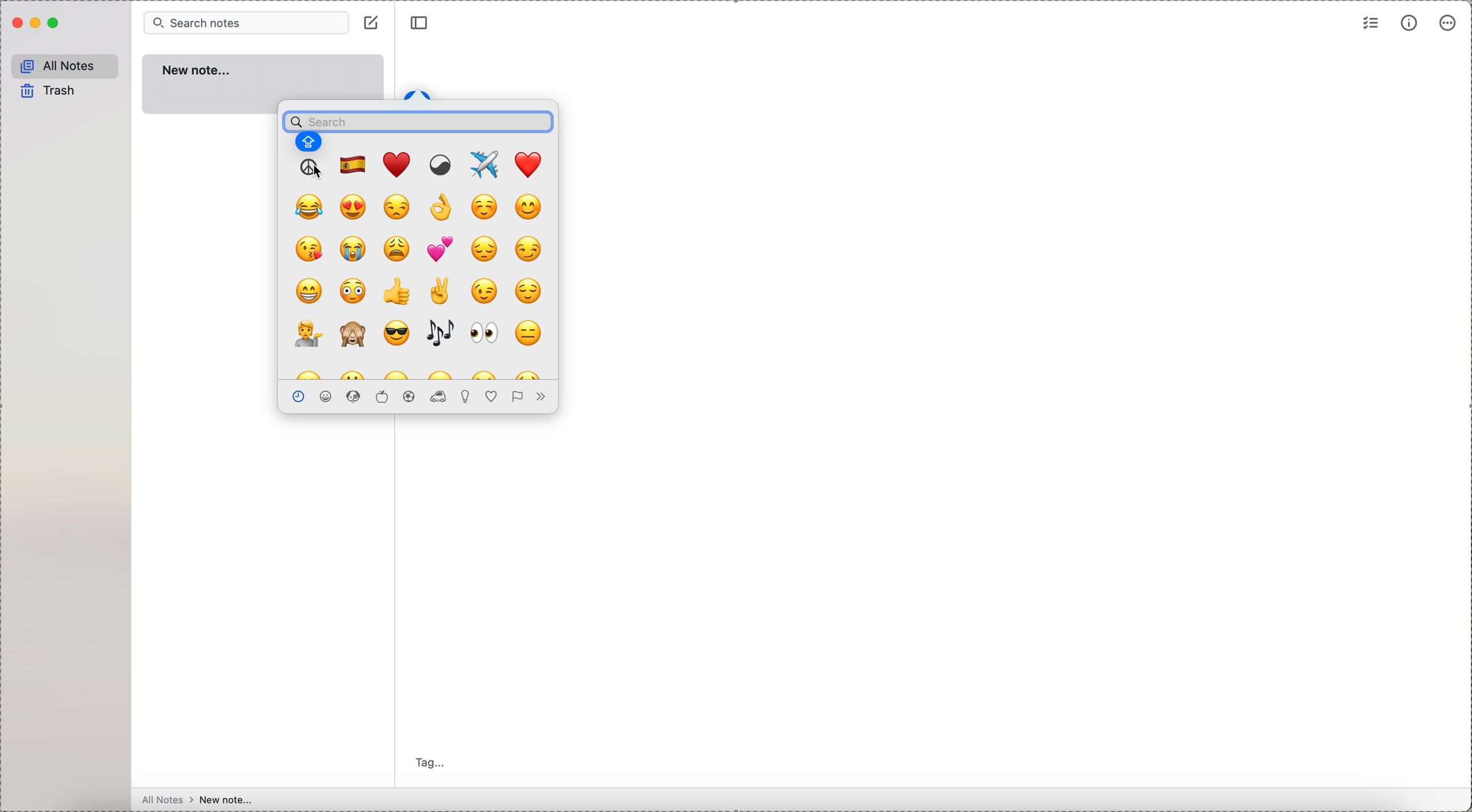 Image resolution: width=1472 pixels, height=812 pixels. What do you see at coordinates (440, 335) in the screenshot?
I see `emoji` at bounding box center [440, 335].